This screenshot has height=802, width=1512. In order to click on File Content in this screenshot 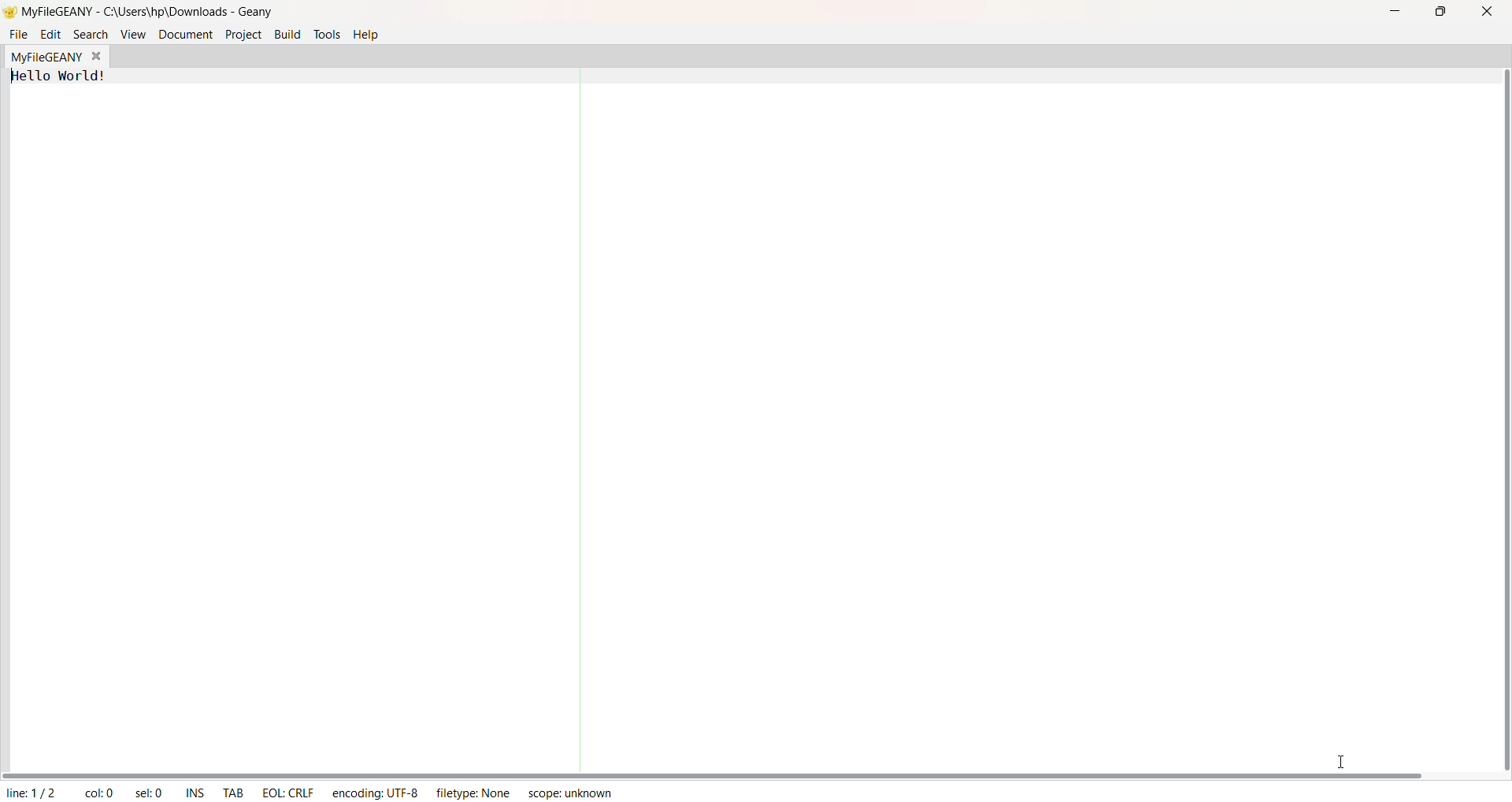, I will do `click(65, 77)`.